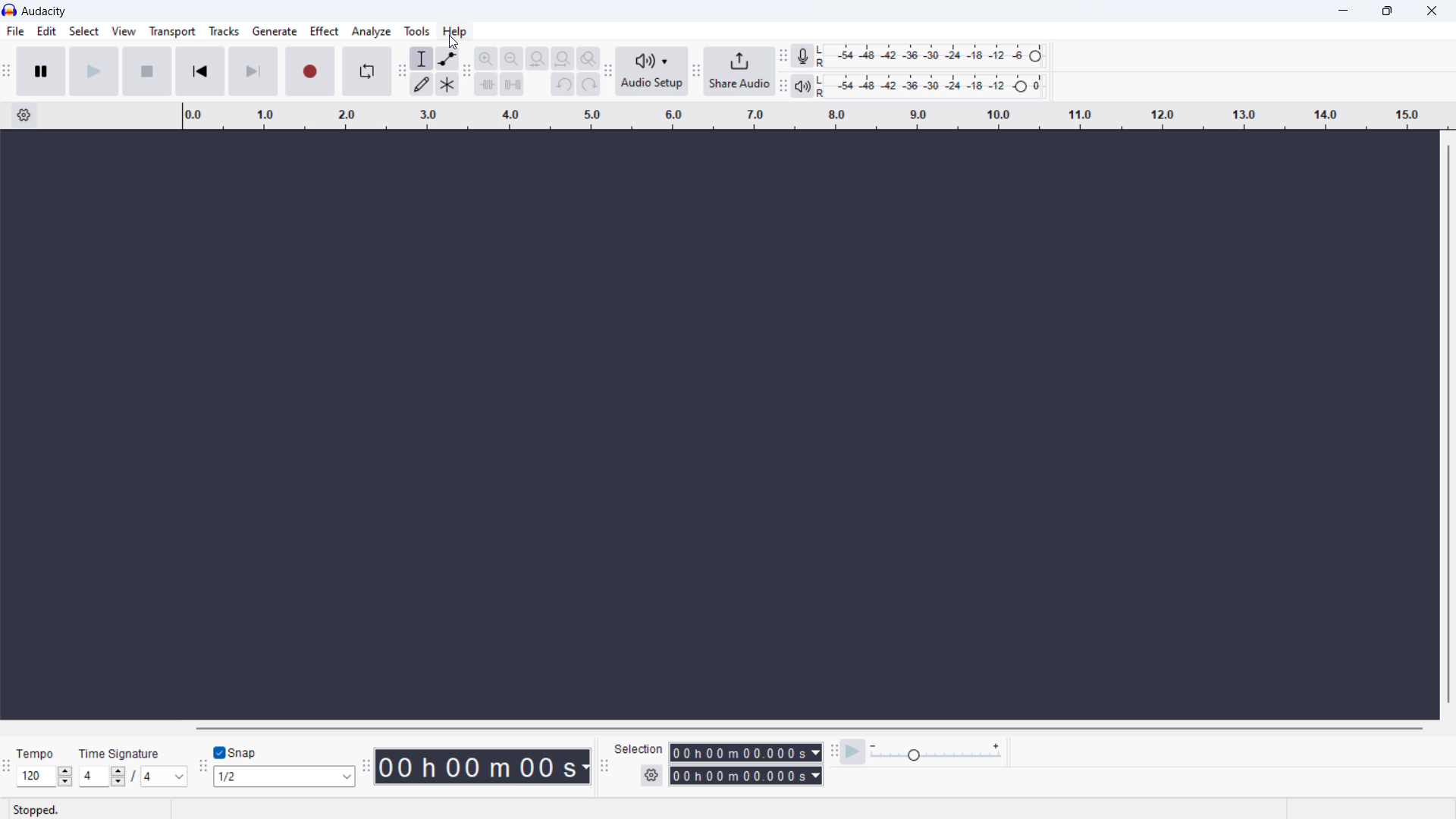 The image size is (1456, 819). I want to click on toggle snap, so click(235, 751).